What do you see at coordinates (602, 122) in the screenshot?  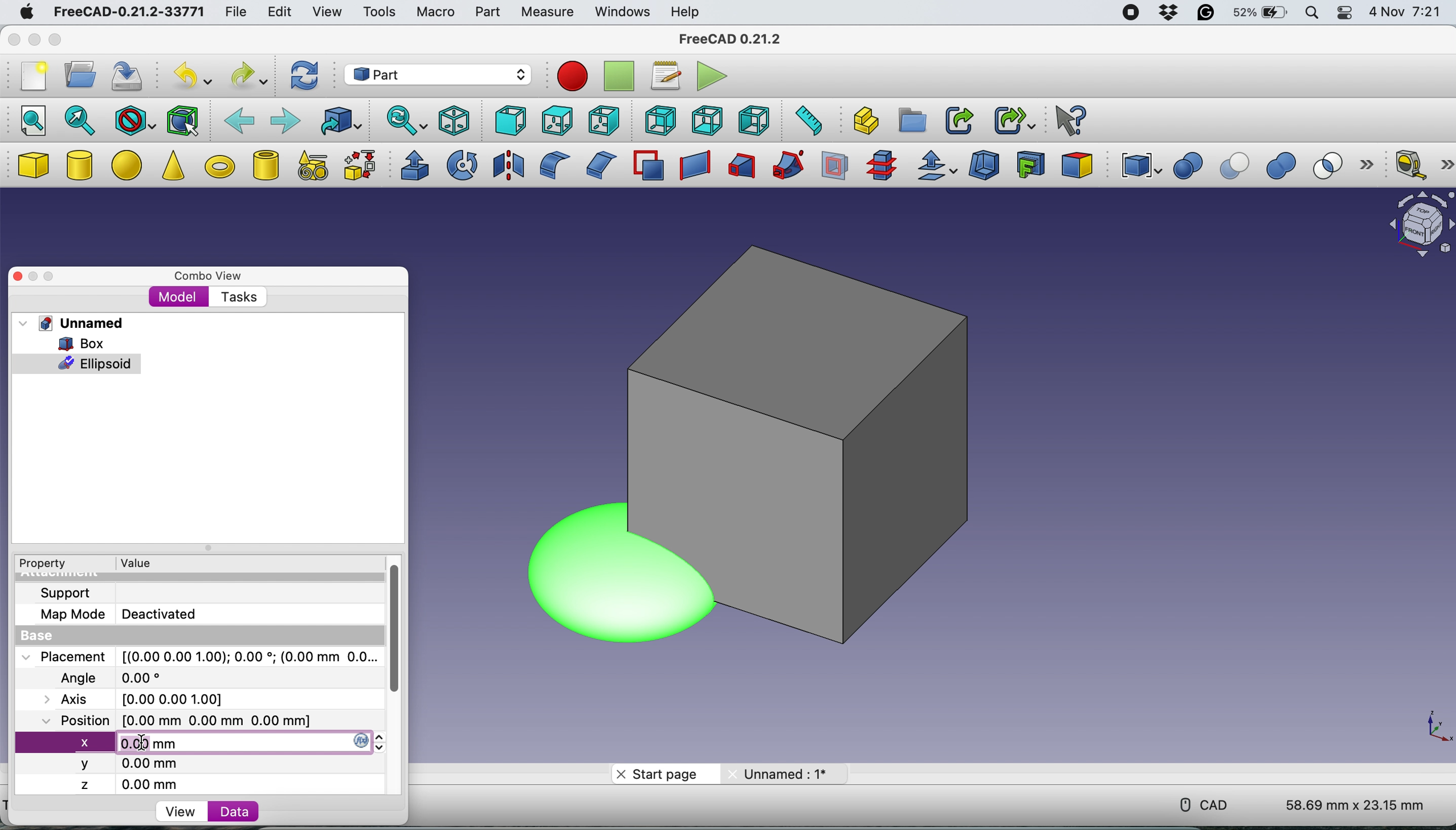 I see `right` at bounding box center [602, 122].